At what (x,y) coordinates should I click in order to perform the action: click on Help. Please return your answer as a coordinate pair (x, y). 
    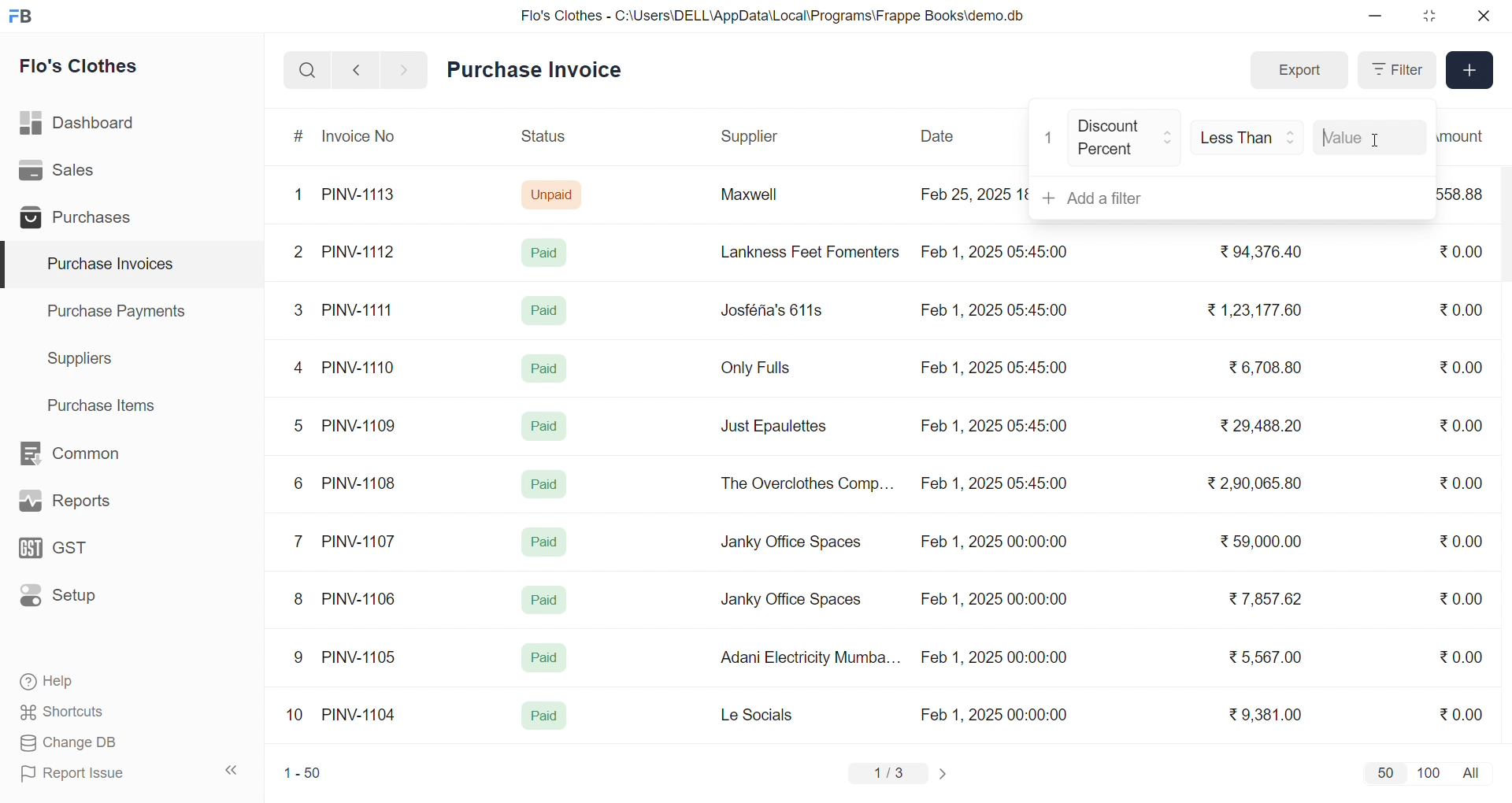
    Looking at the image, I should click on (98, 683).